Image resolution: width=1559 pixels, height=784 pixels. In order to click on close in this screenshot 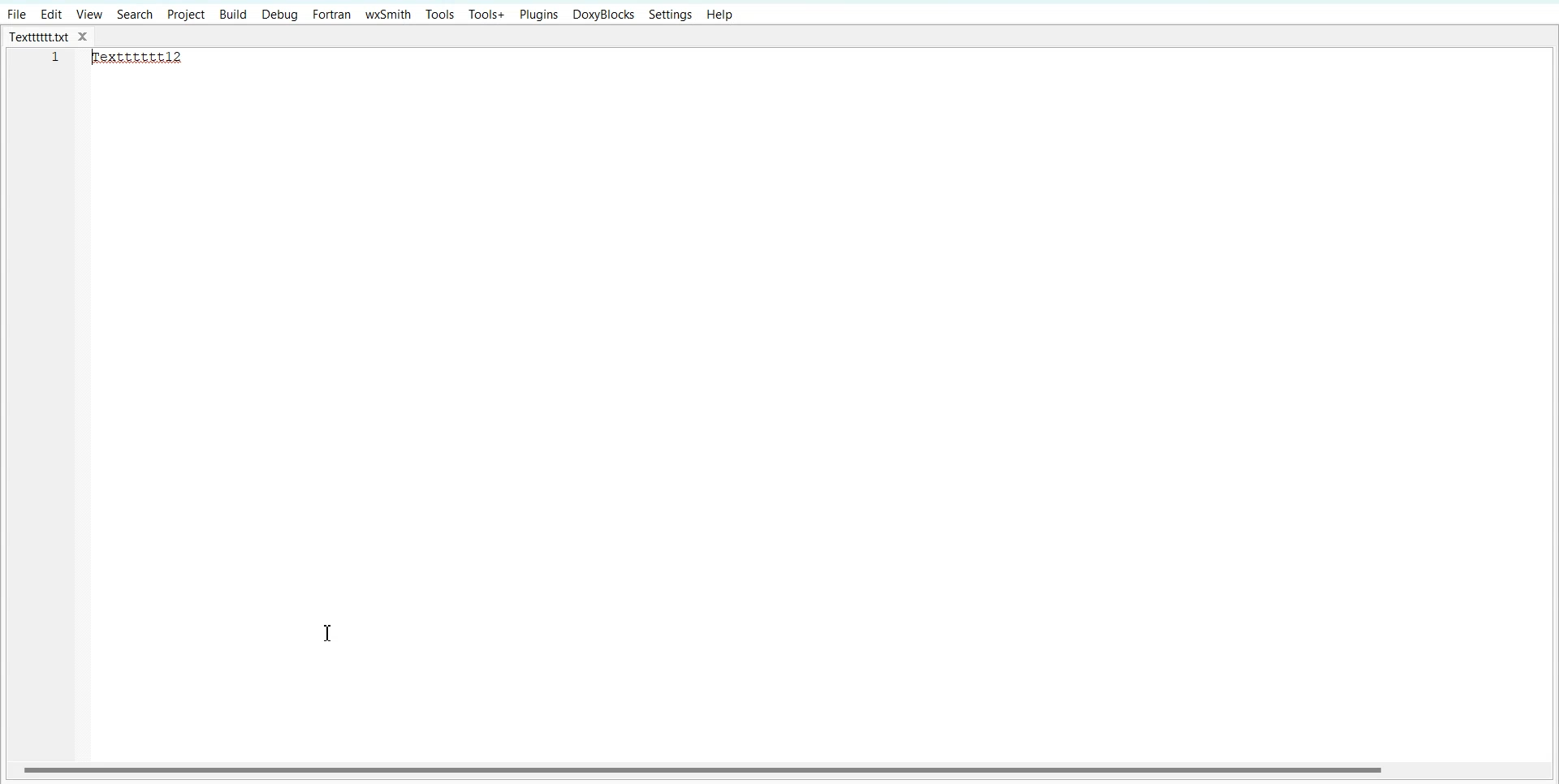, I will do `click(87, 37)`.